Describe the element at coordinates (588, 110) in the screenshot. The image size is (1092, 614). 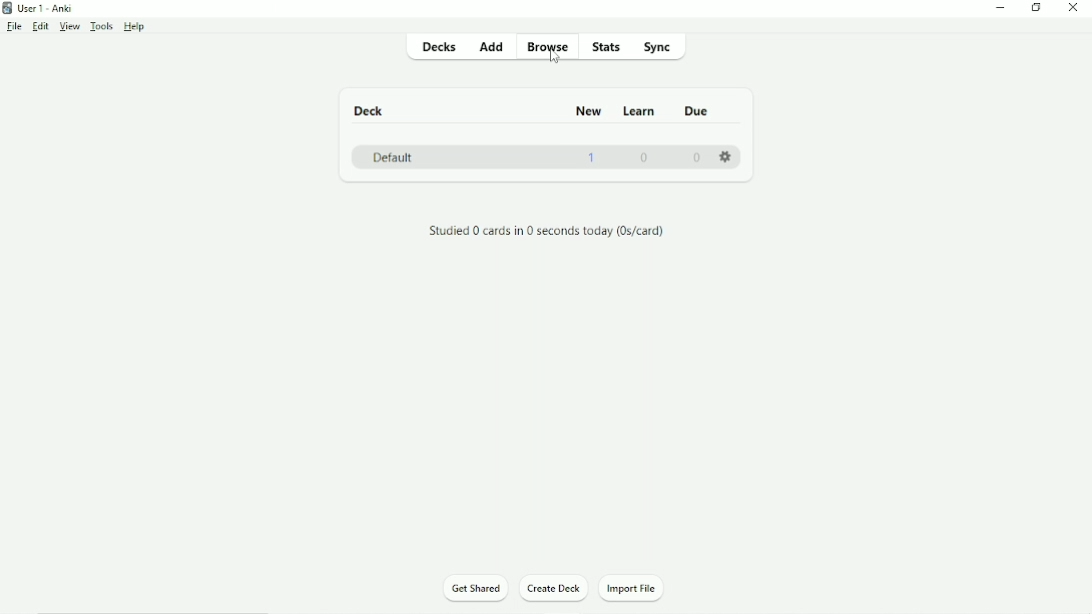
I see `New` at that location.